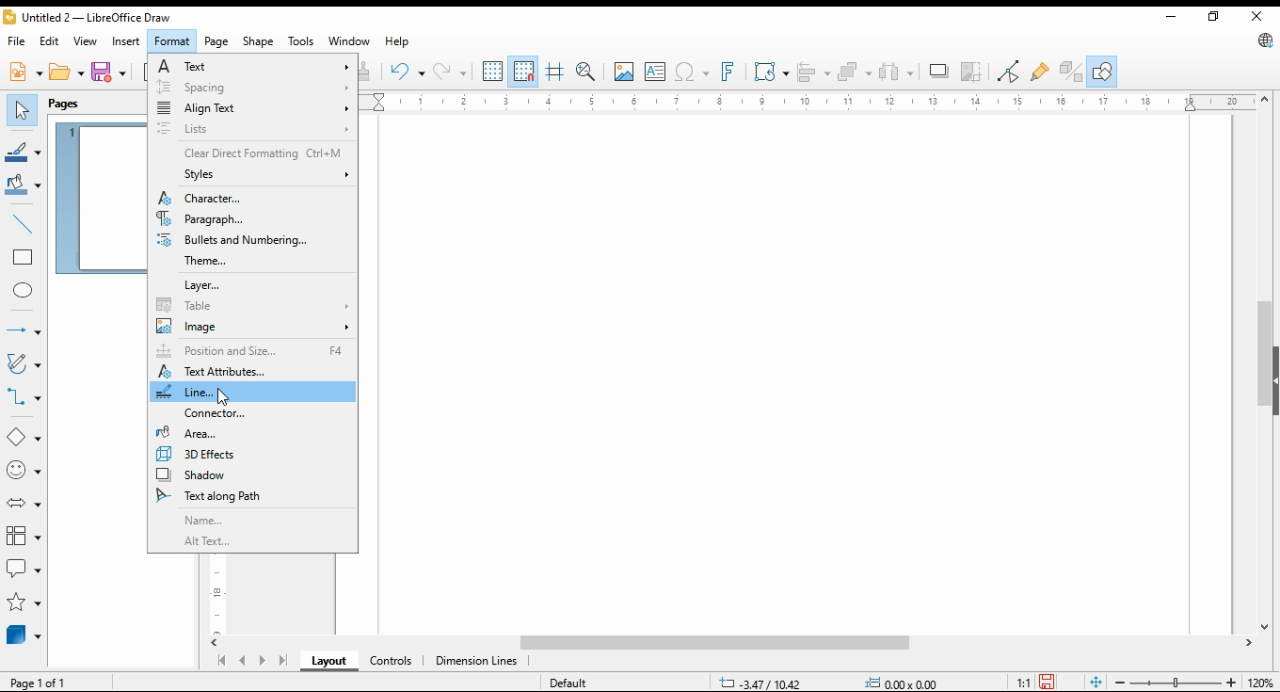 The height and width of the screenshot is (692, 1280). I want to click on helplines while moving, so click(557, 71).